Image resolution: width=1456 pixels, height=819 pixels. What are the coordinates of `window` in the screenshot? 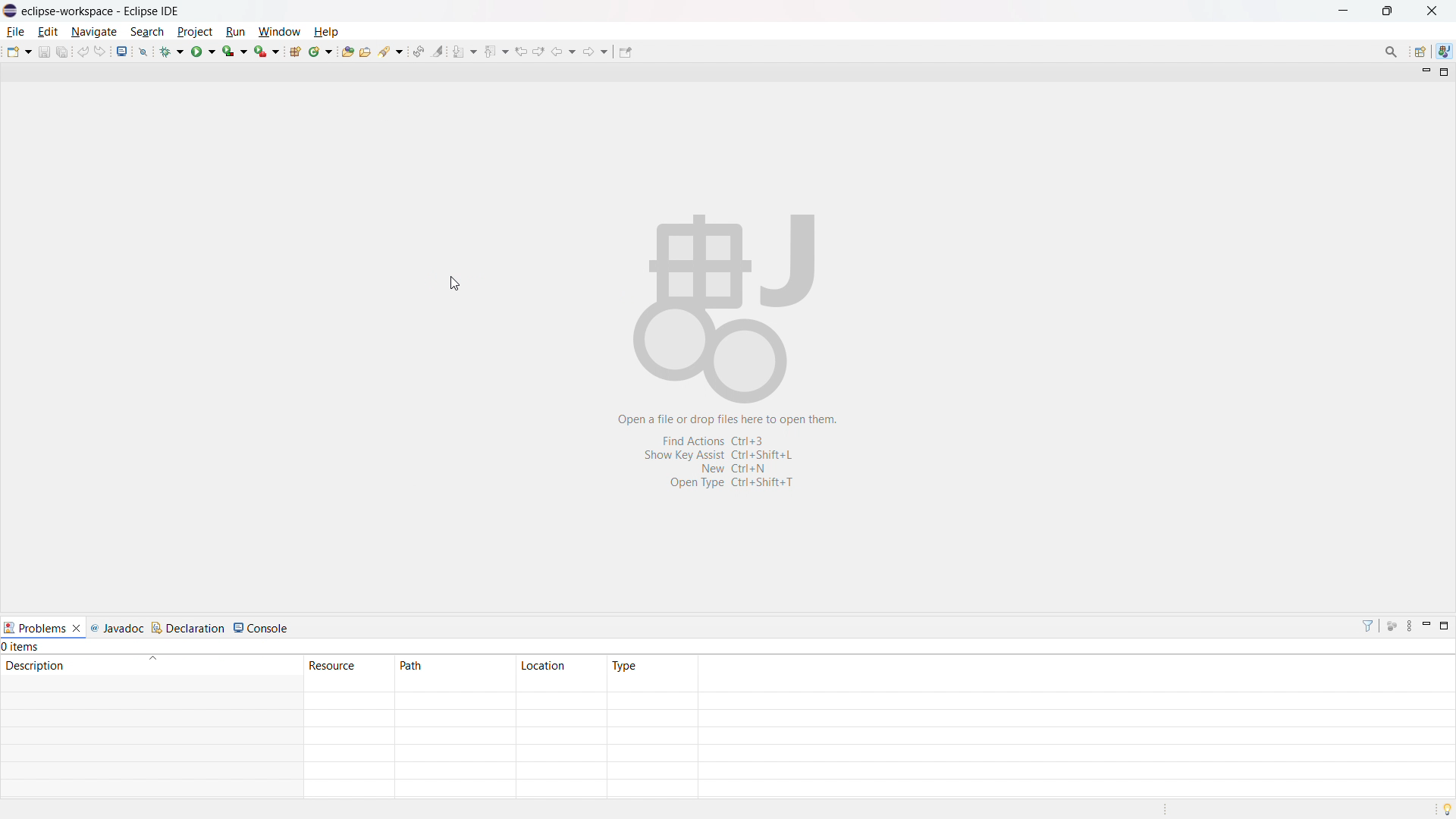 It's located at (279, 32).